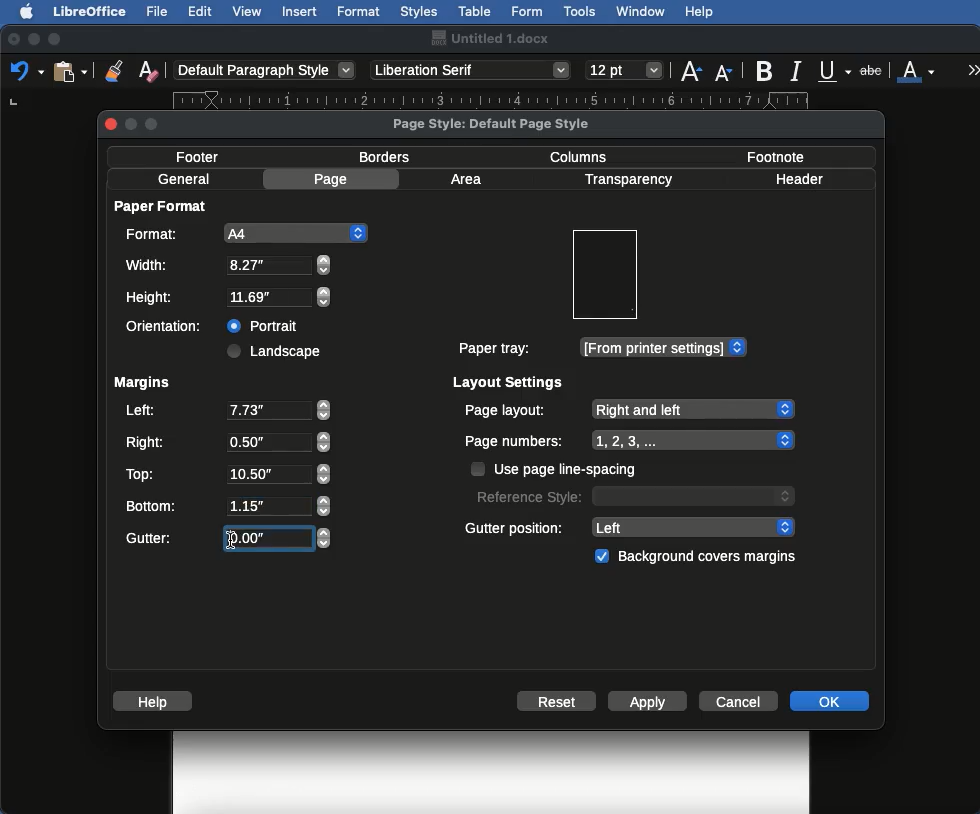 Image resolution: width=980 pixels, height=814 pixels. I want to click on Undo, so click(26, 70).